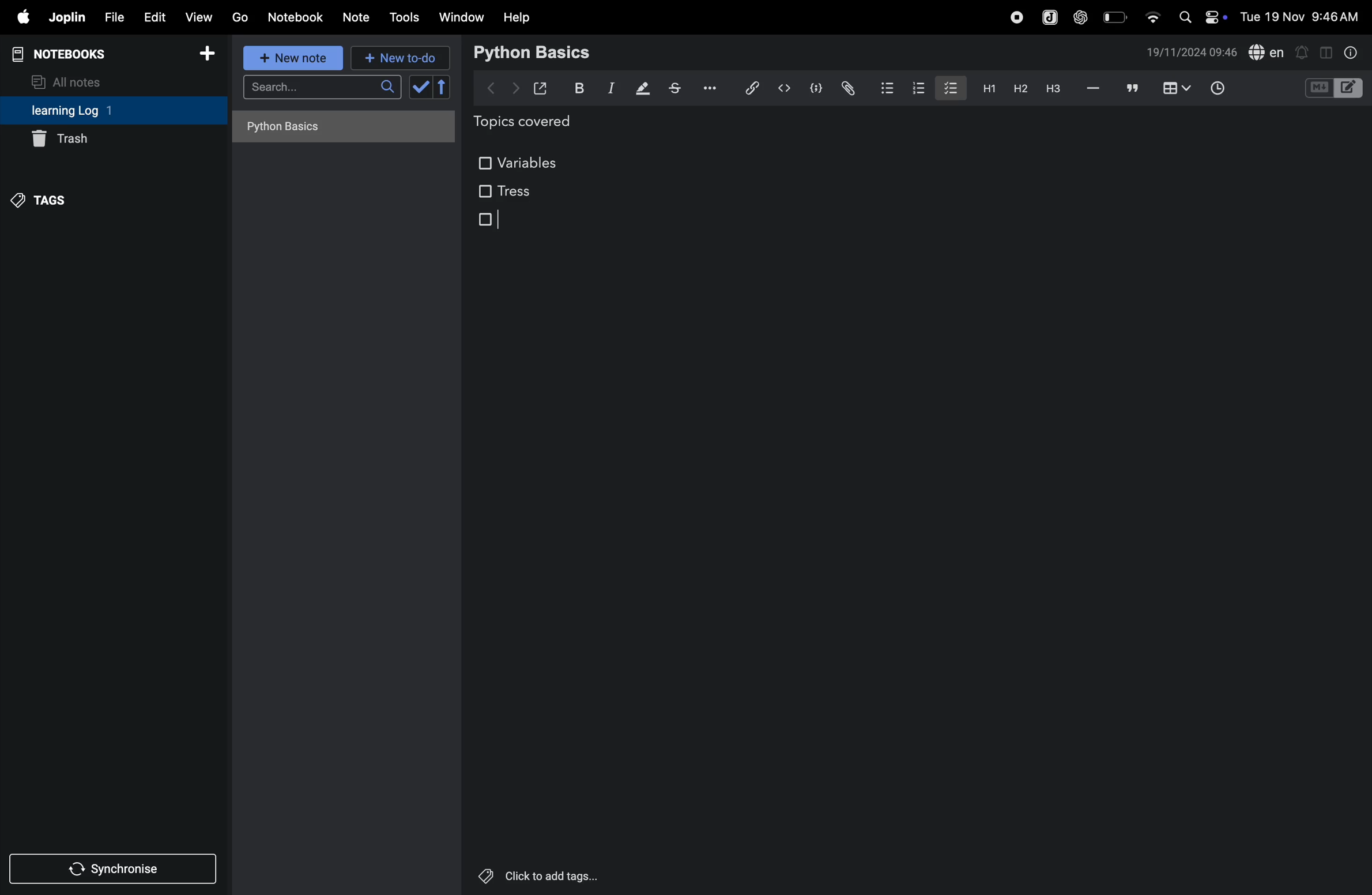 The width and height of the screenshot is (1372, 895). What do you see at coordinates (290, 58) in the screenshot?
I see `new note` at bounding box center [290, 58].